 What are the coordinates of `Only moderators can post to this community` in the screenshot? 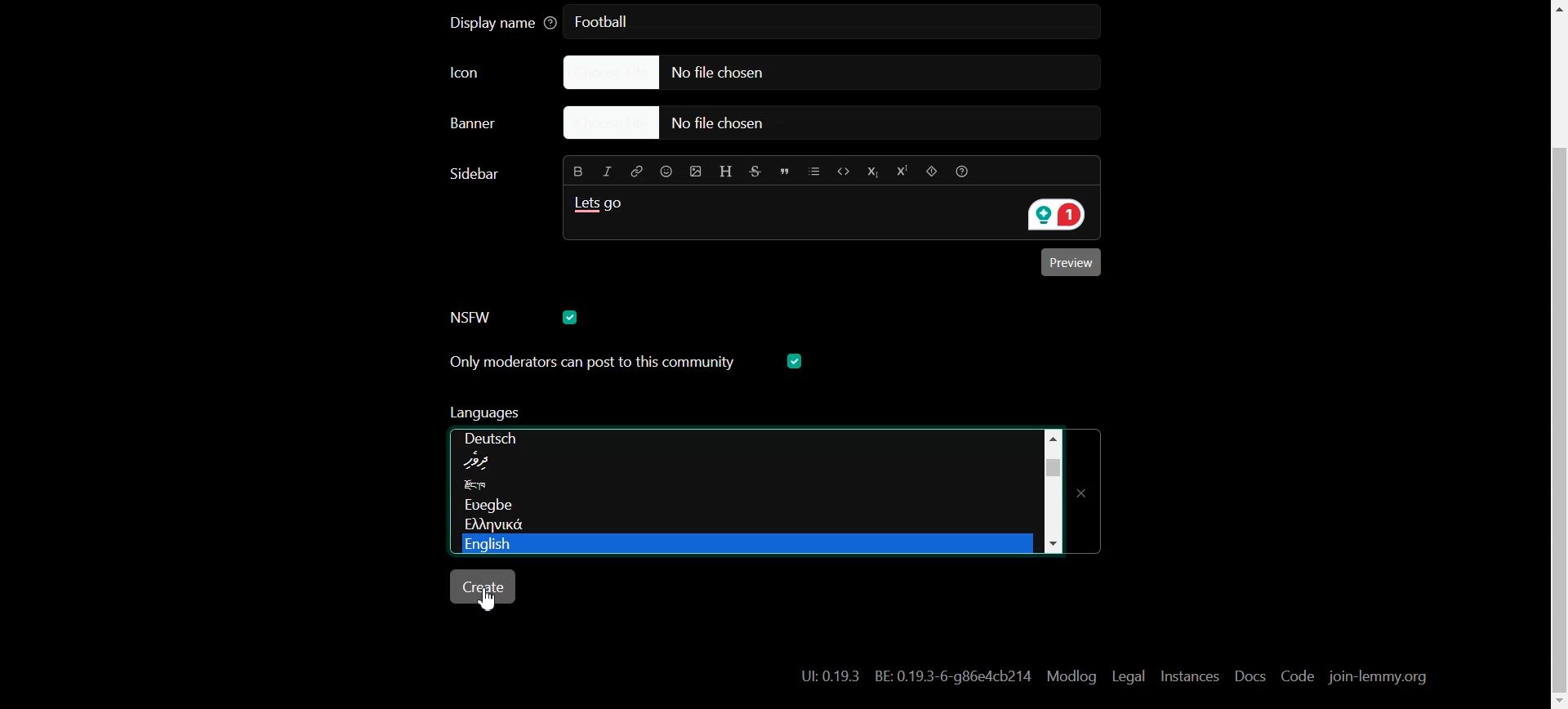 It's located at (628, 414).